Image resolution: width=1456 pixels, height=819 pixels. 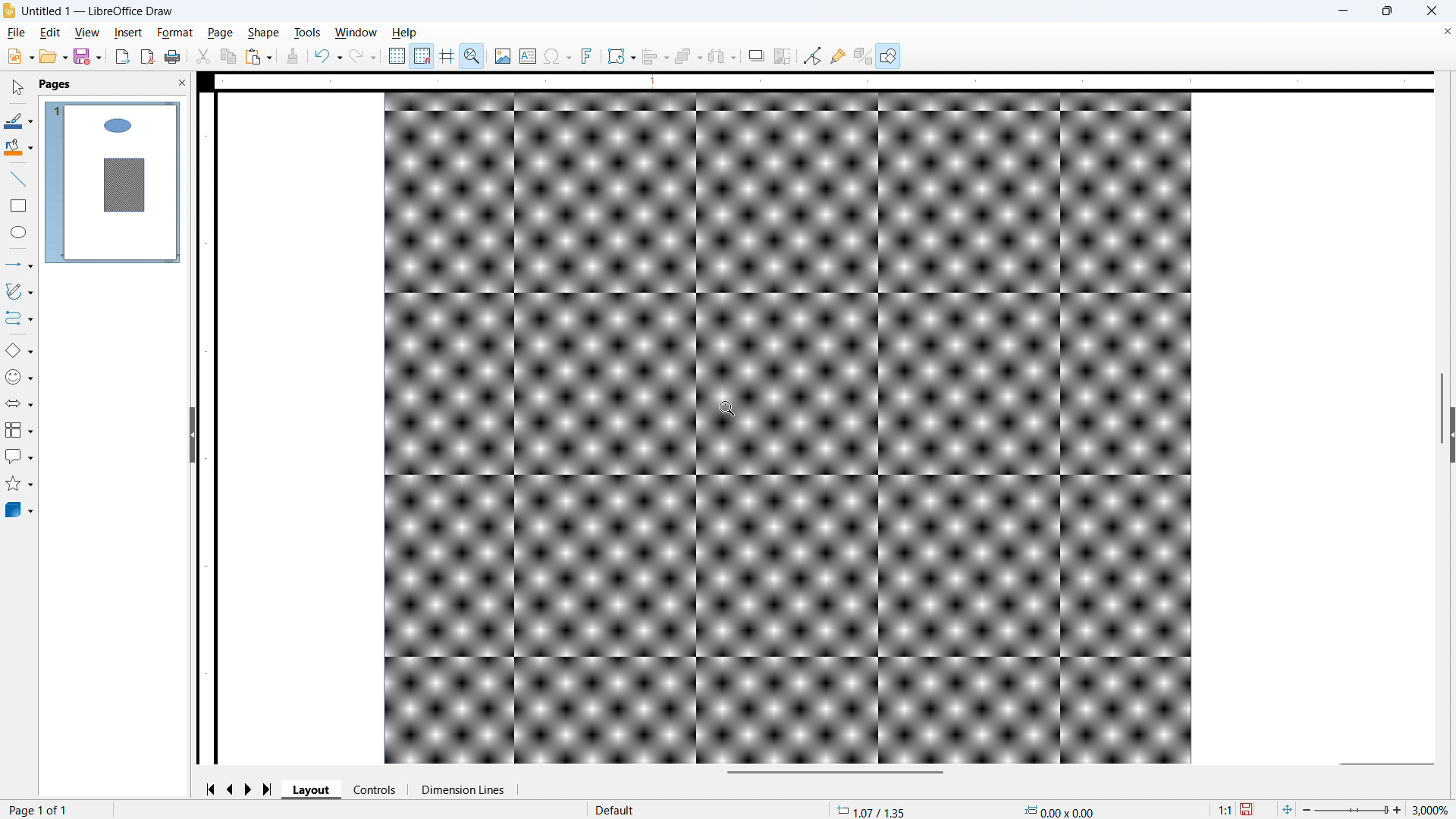 I want to click on Guidelines while moving , so click(x=447, y=55).